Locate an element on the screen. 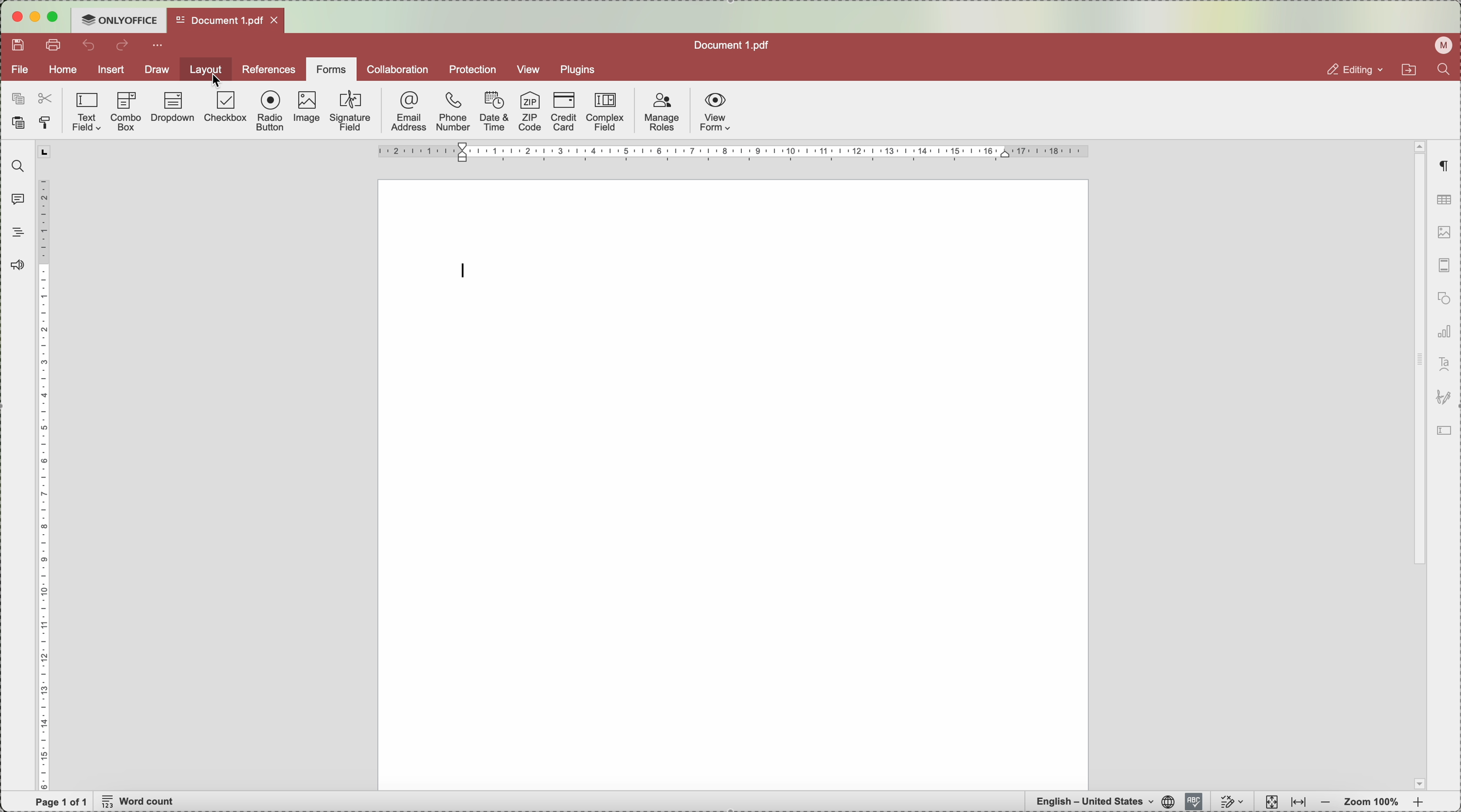  paragraph settings is located at coordinates (1443, 167).